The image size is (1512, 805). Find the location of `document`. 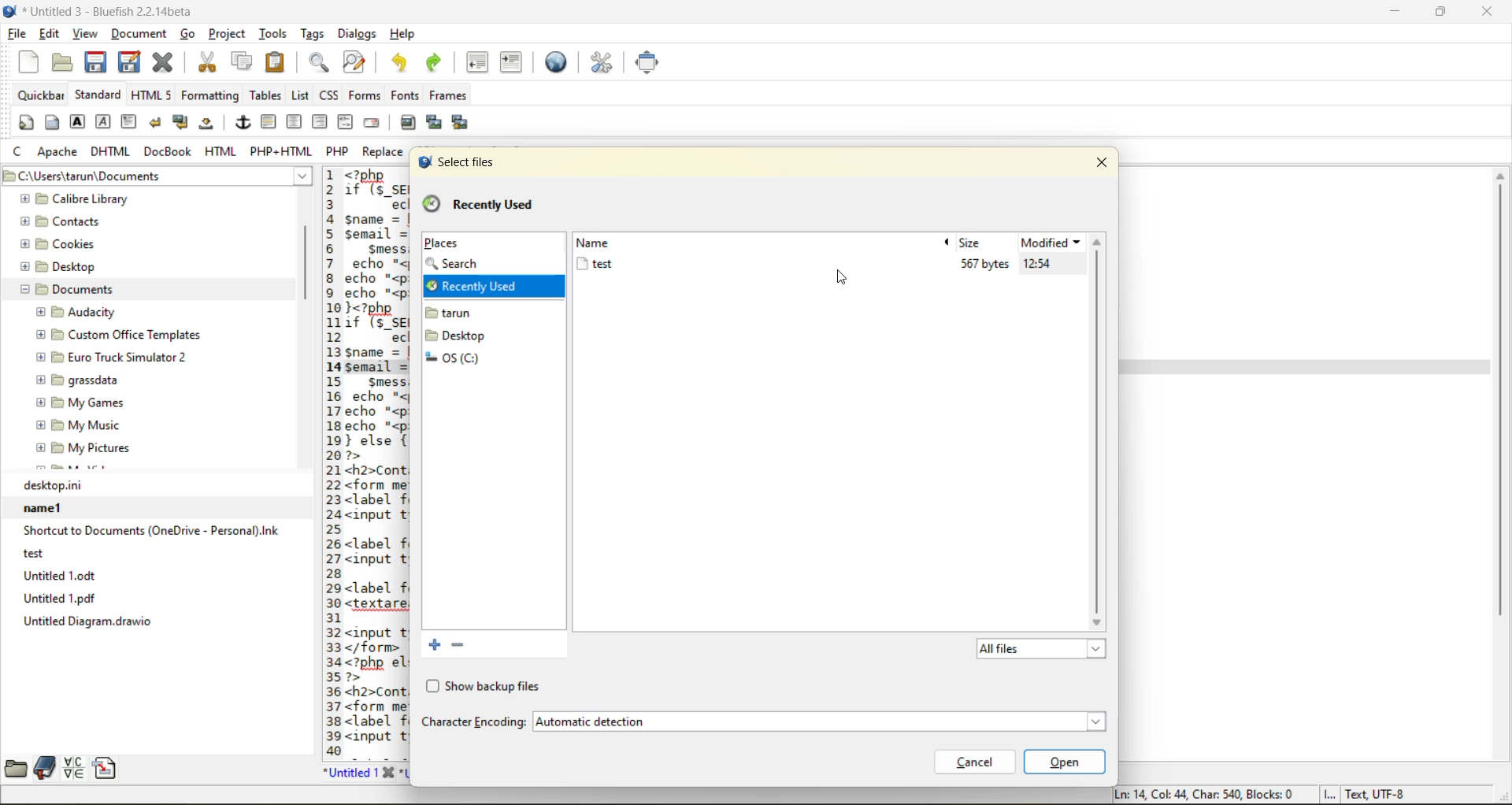

document is located at coordinates (139, 38).